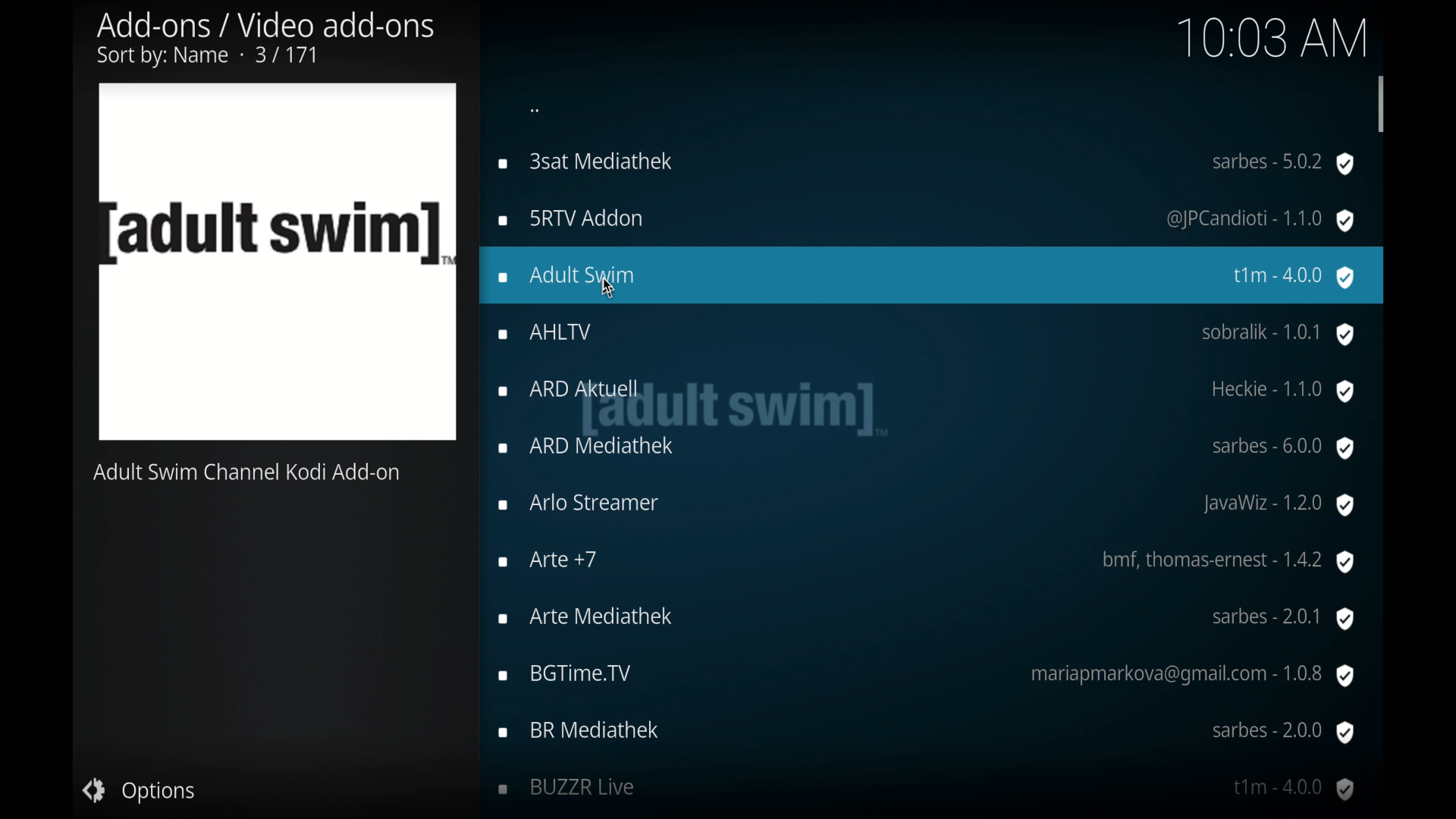 This screenshot has height=819, width=1456. I want to click on 3sat, so click(927, 163).